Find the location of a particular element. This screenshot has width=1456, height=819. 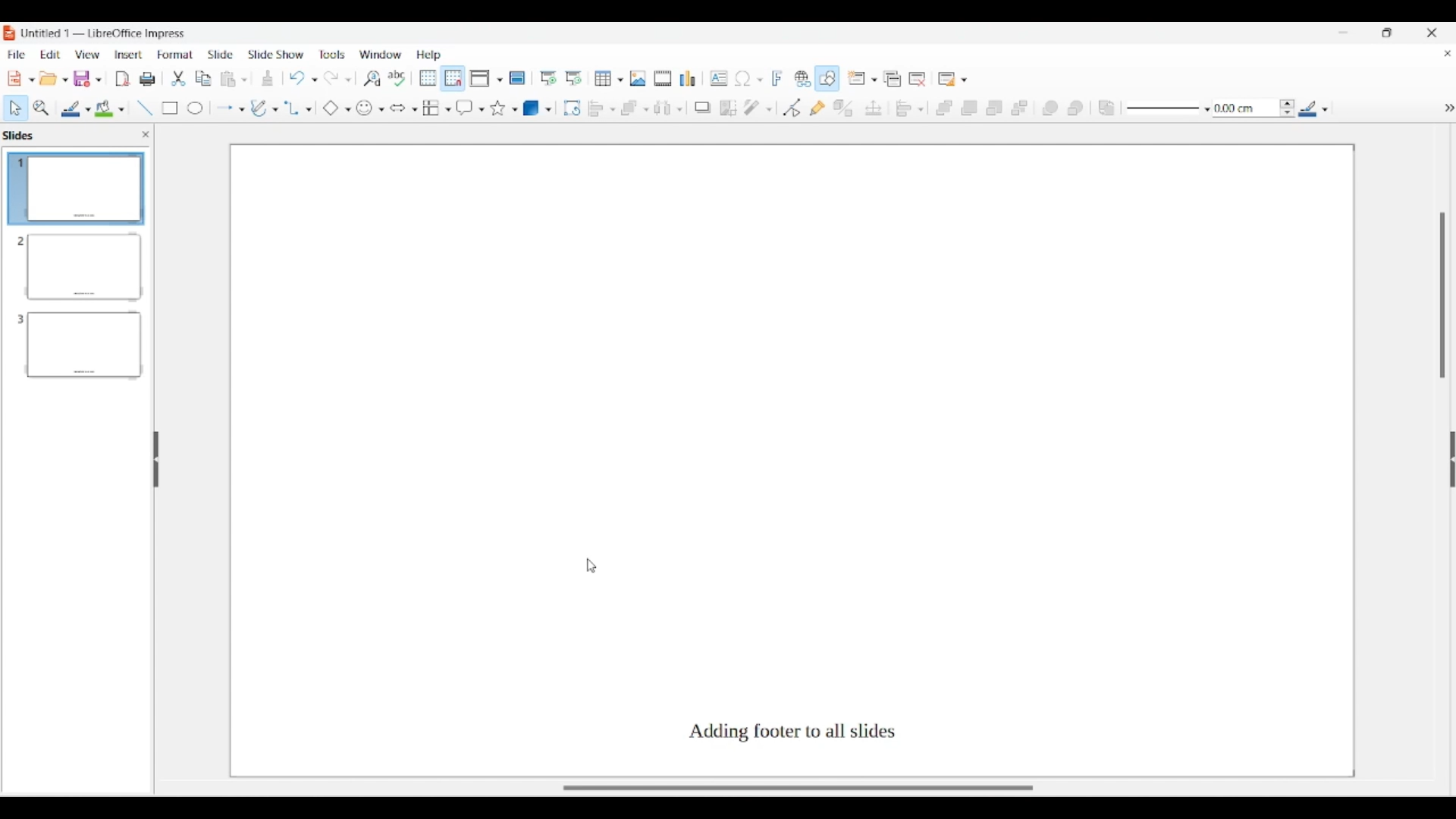

Color is located at coordinates (108, 106).